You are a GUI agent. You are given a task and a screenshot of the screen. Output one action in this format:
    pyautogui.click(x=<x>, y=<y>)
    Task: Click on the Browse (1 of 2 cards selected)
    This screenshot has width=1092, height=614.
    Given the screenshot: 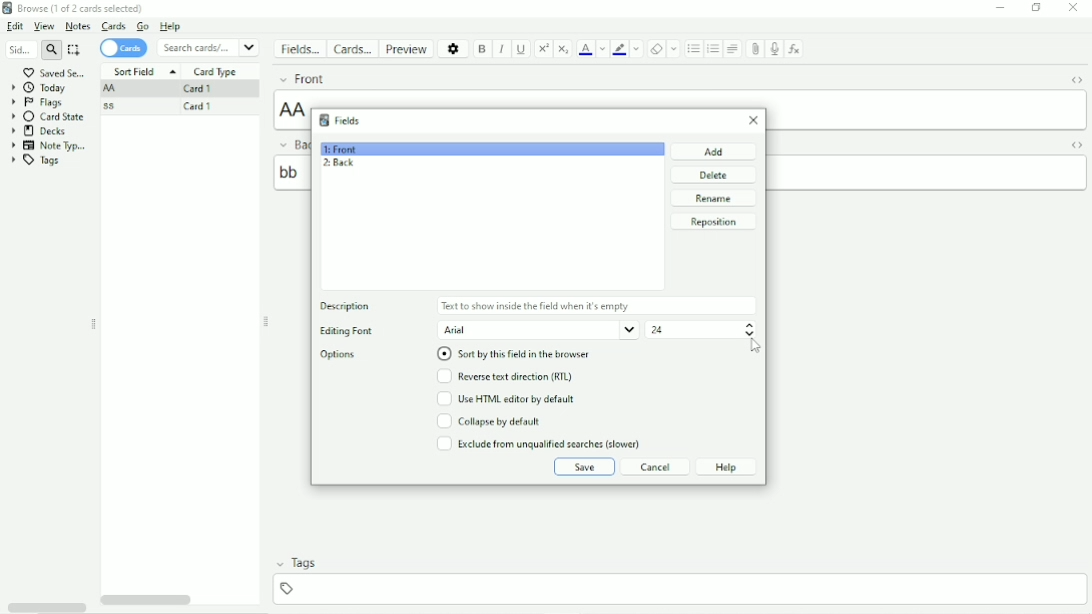 What is the action you would take?
    pyautogui.click(x=85, y=8)
    